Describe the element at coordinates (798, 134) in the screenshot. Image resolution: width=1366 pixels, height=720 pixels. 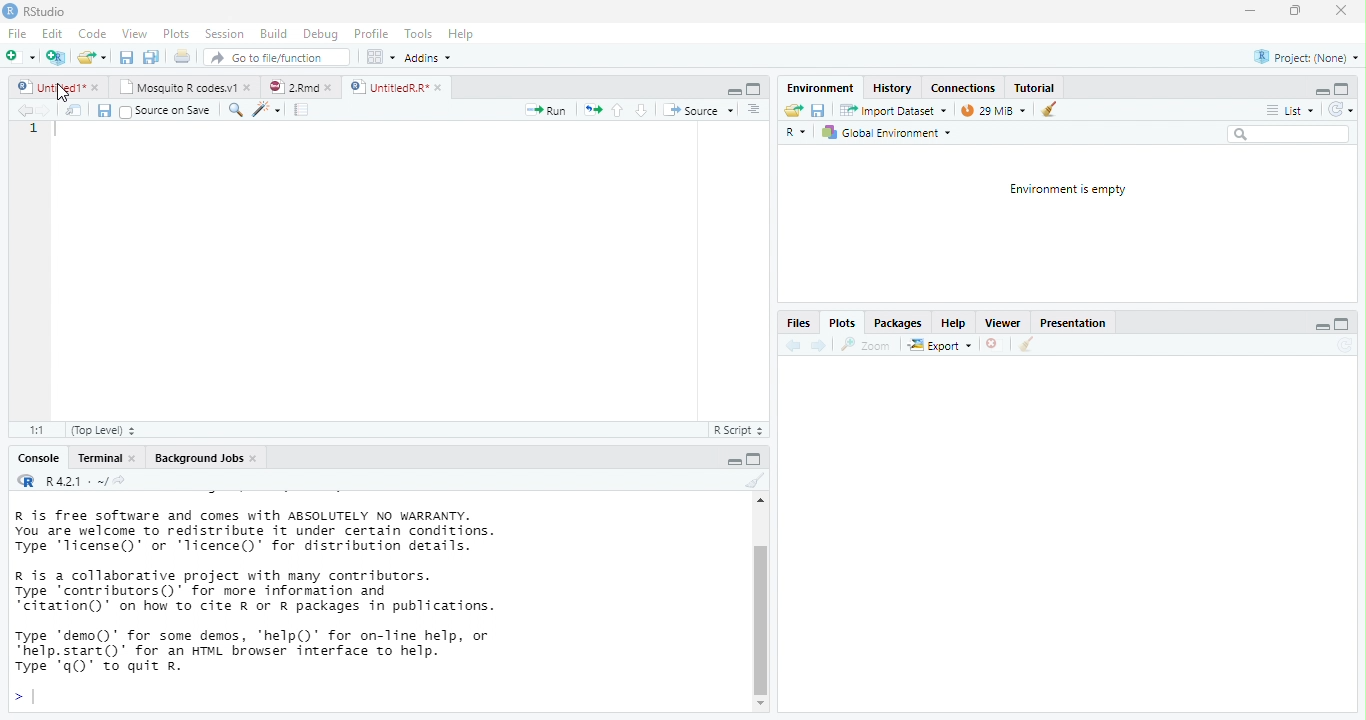
I see `R` at that location.